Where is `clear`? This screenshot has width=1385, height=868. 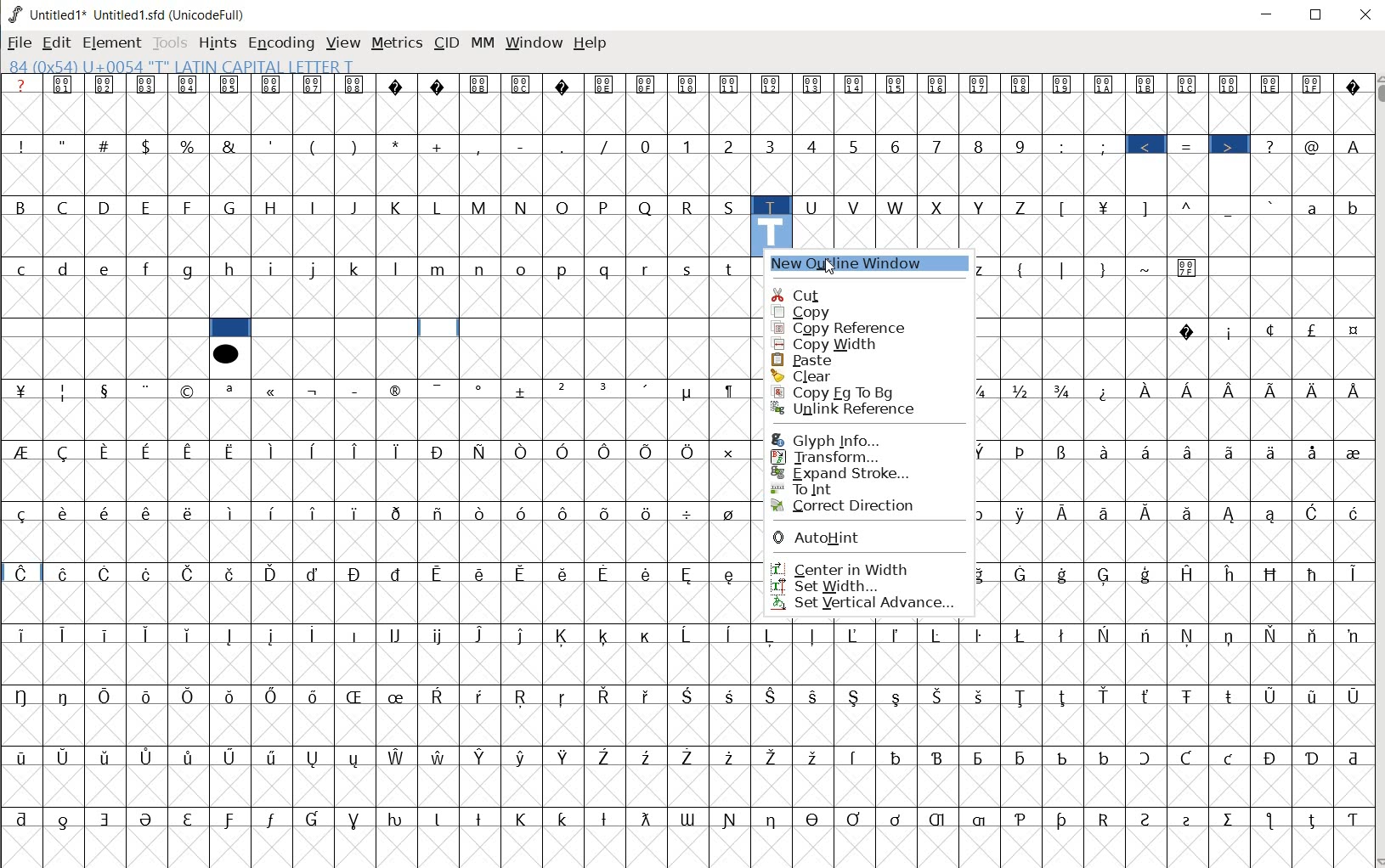
clear is located at coordinates (850, 375).